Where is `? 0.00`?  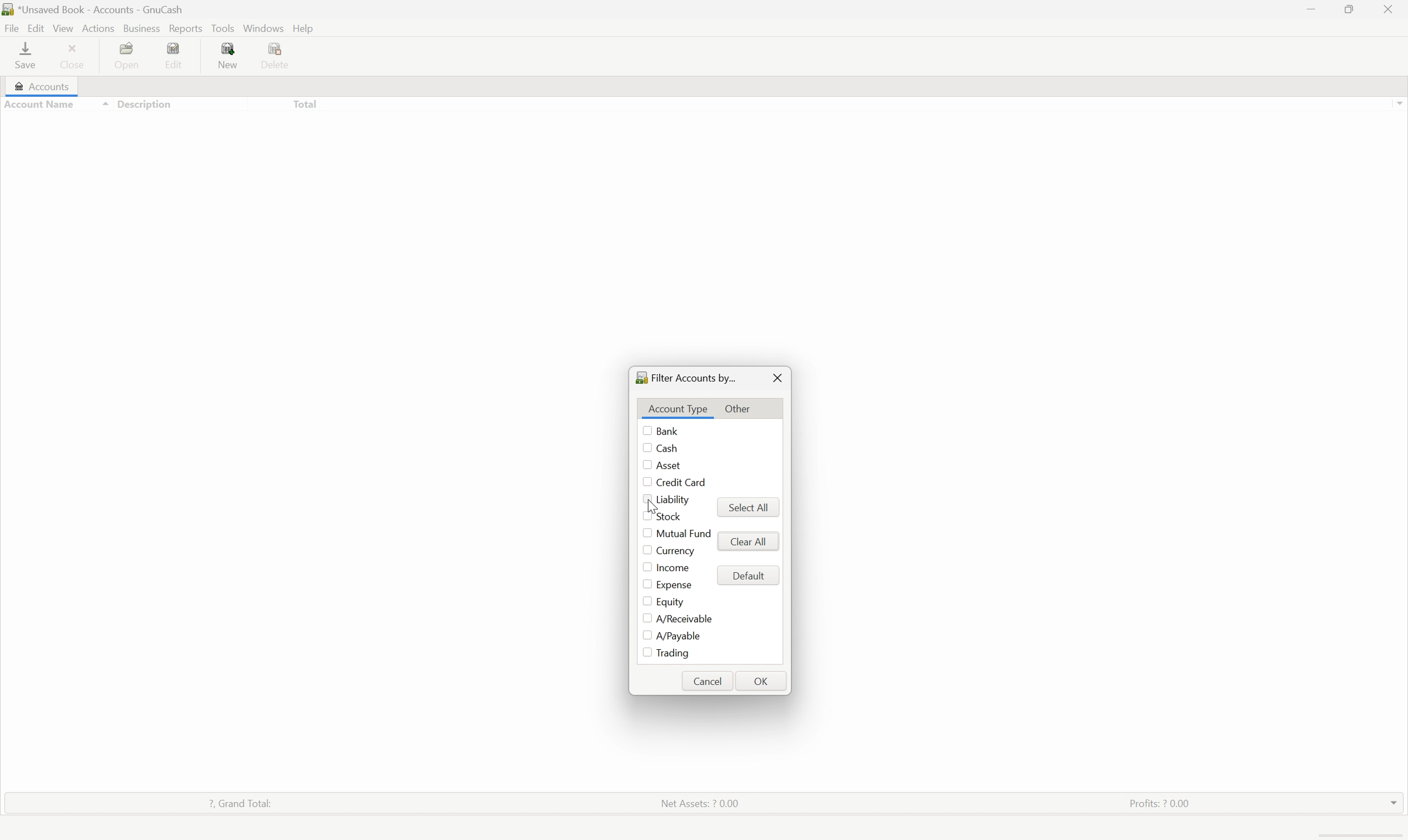 ? 0.00 is located at coordinates (306, 119).